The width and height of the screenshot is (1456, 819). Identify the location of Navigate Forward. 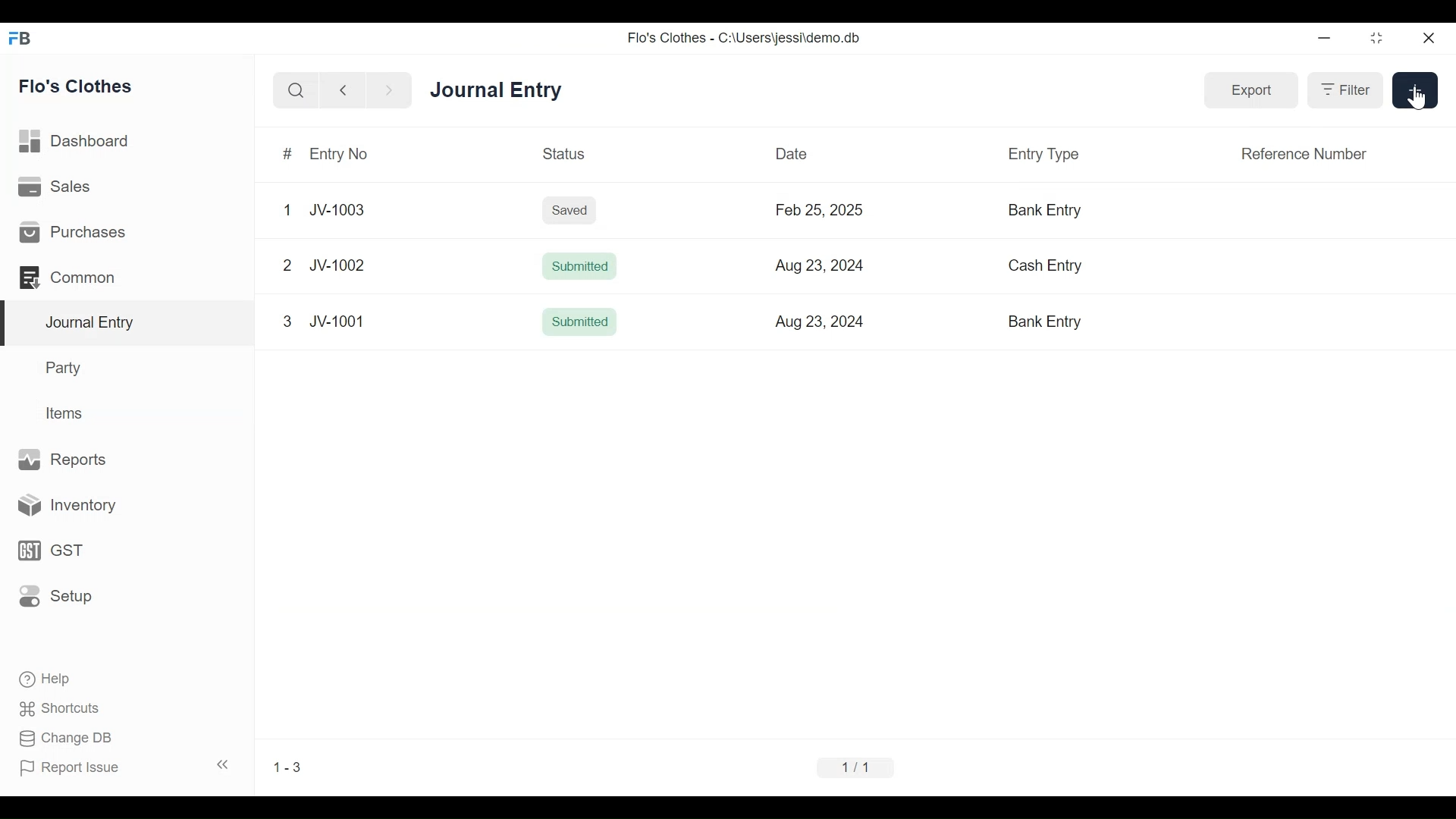
(389, 91).